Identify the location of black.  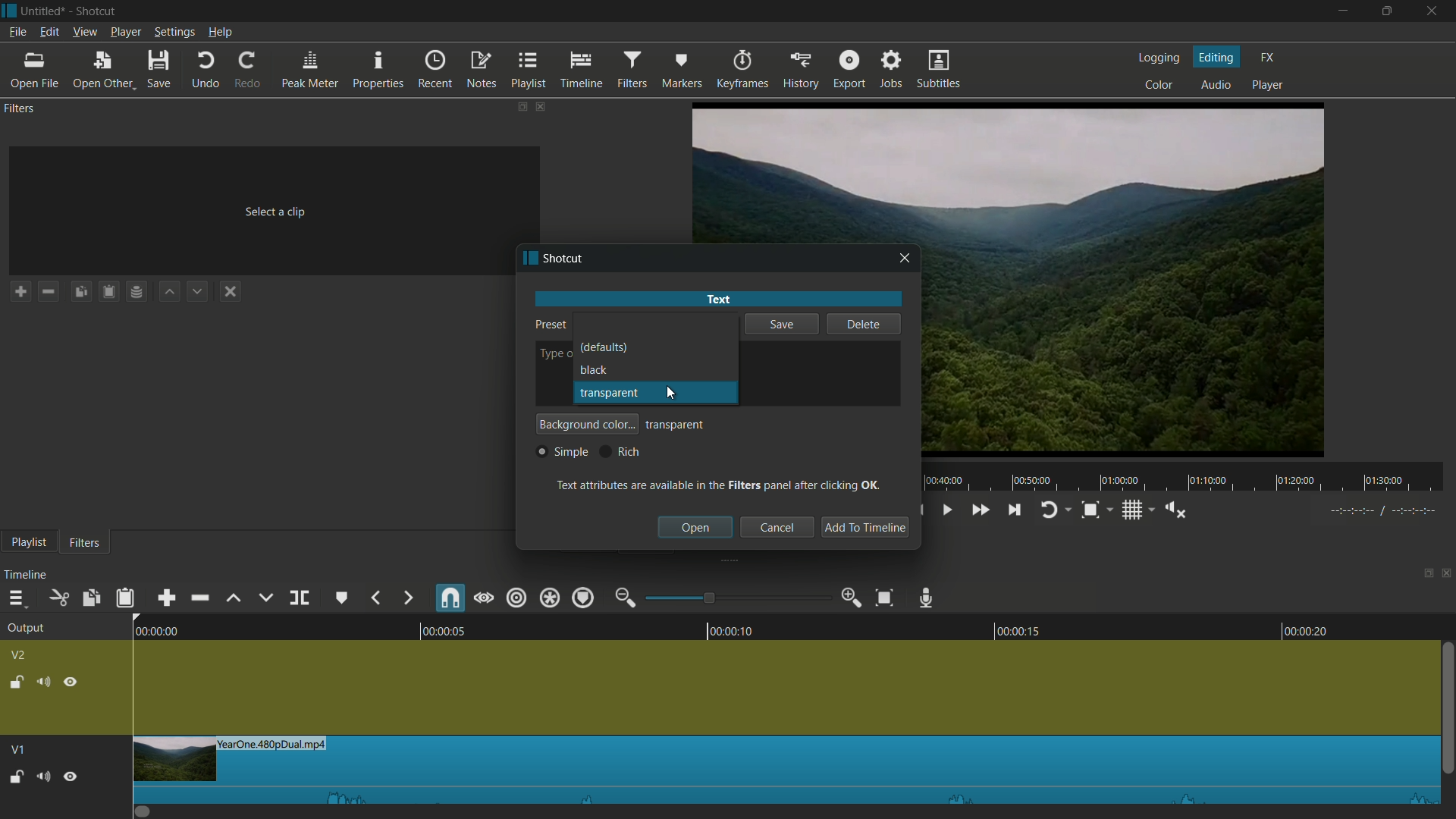
(594, 369).